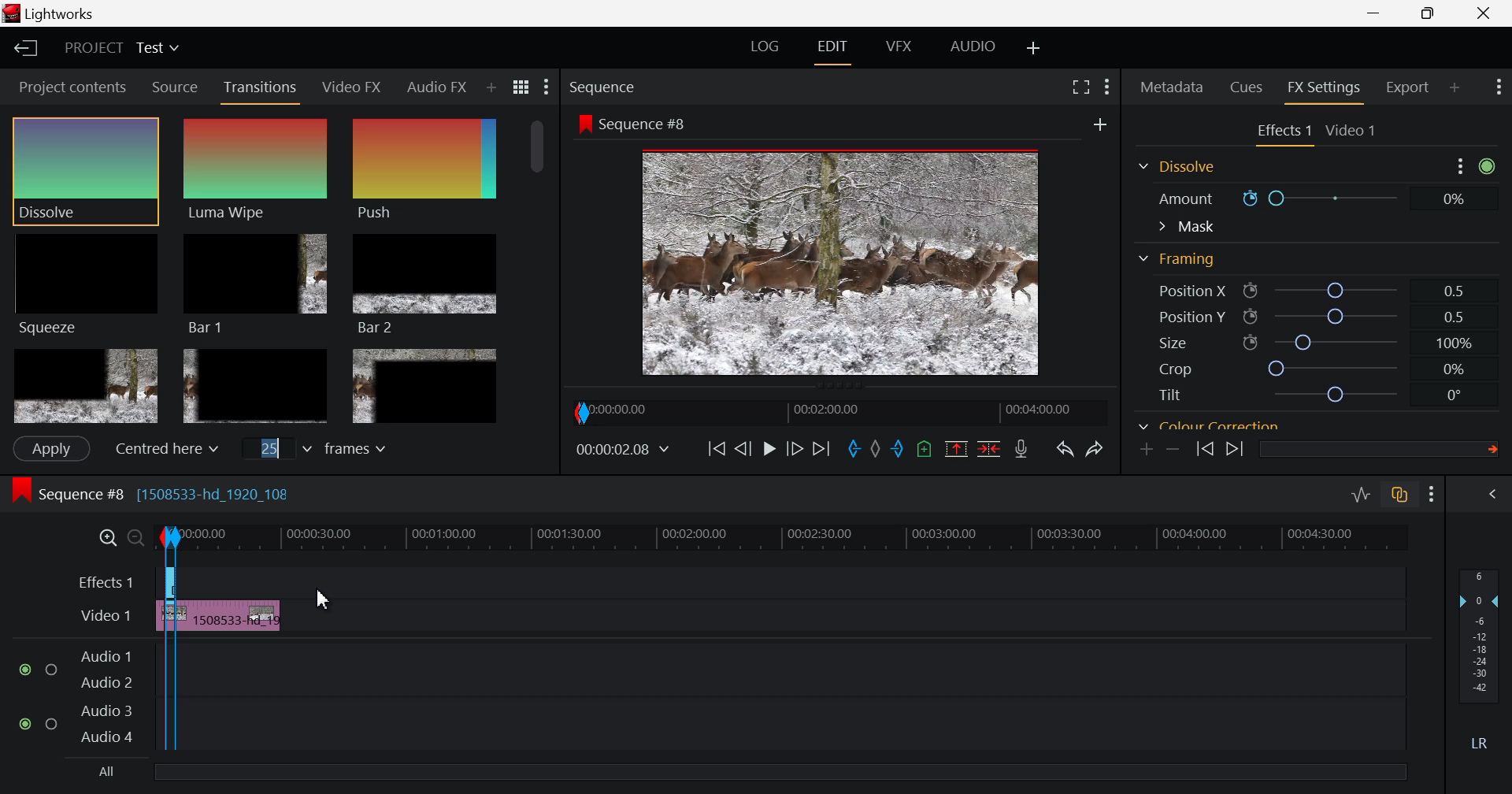  I want to click on Add, so click(1100, 124).